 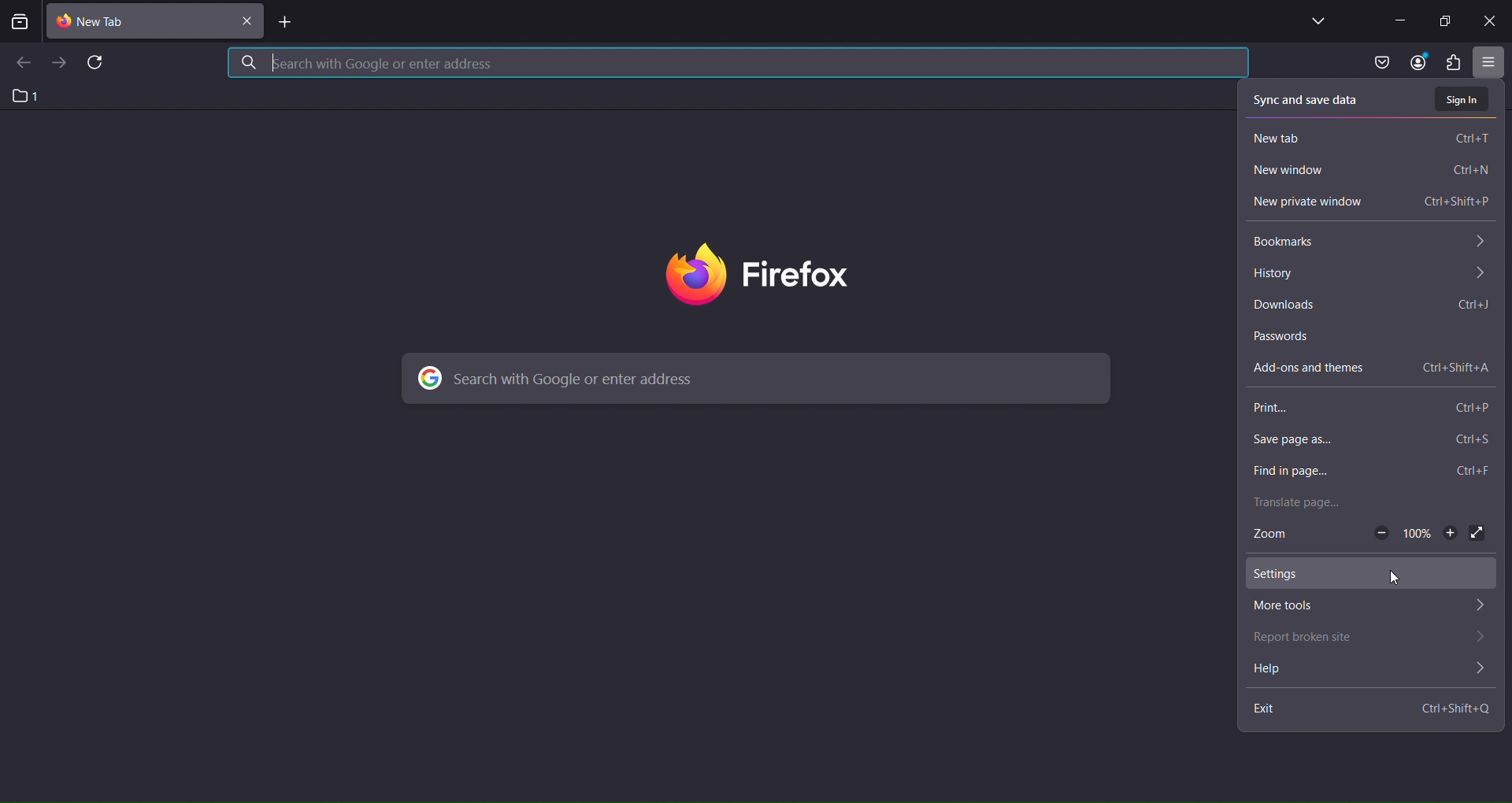 I want to click on close, so click(x=1488, y=19).